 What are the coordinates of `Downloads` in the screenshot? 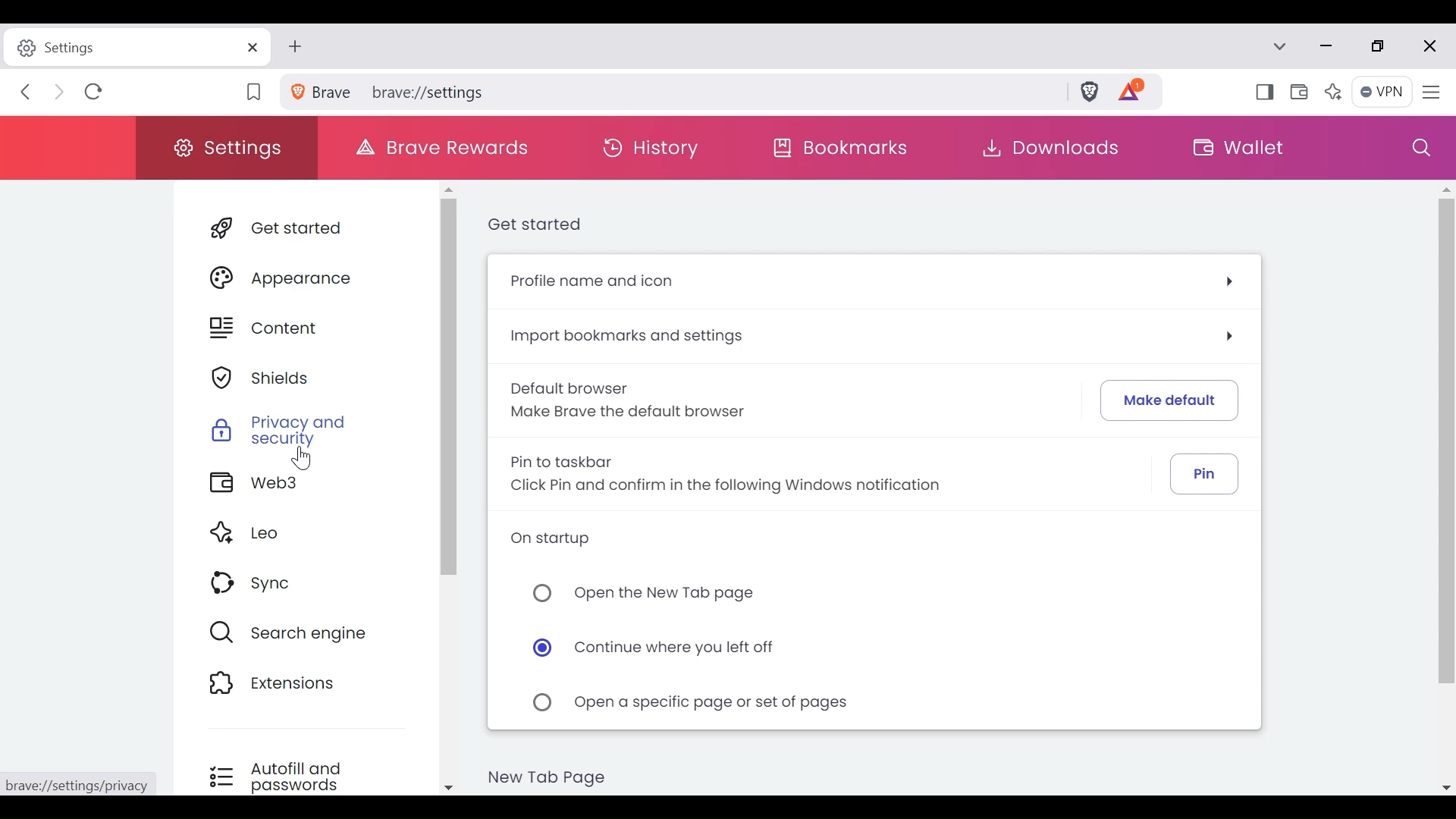 It's located at (1047, 148).